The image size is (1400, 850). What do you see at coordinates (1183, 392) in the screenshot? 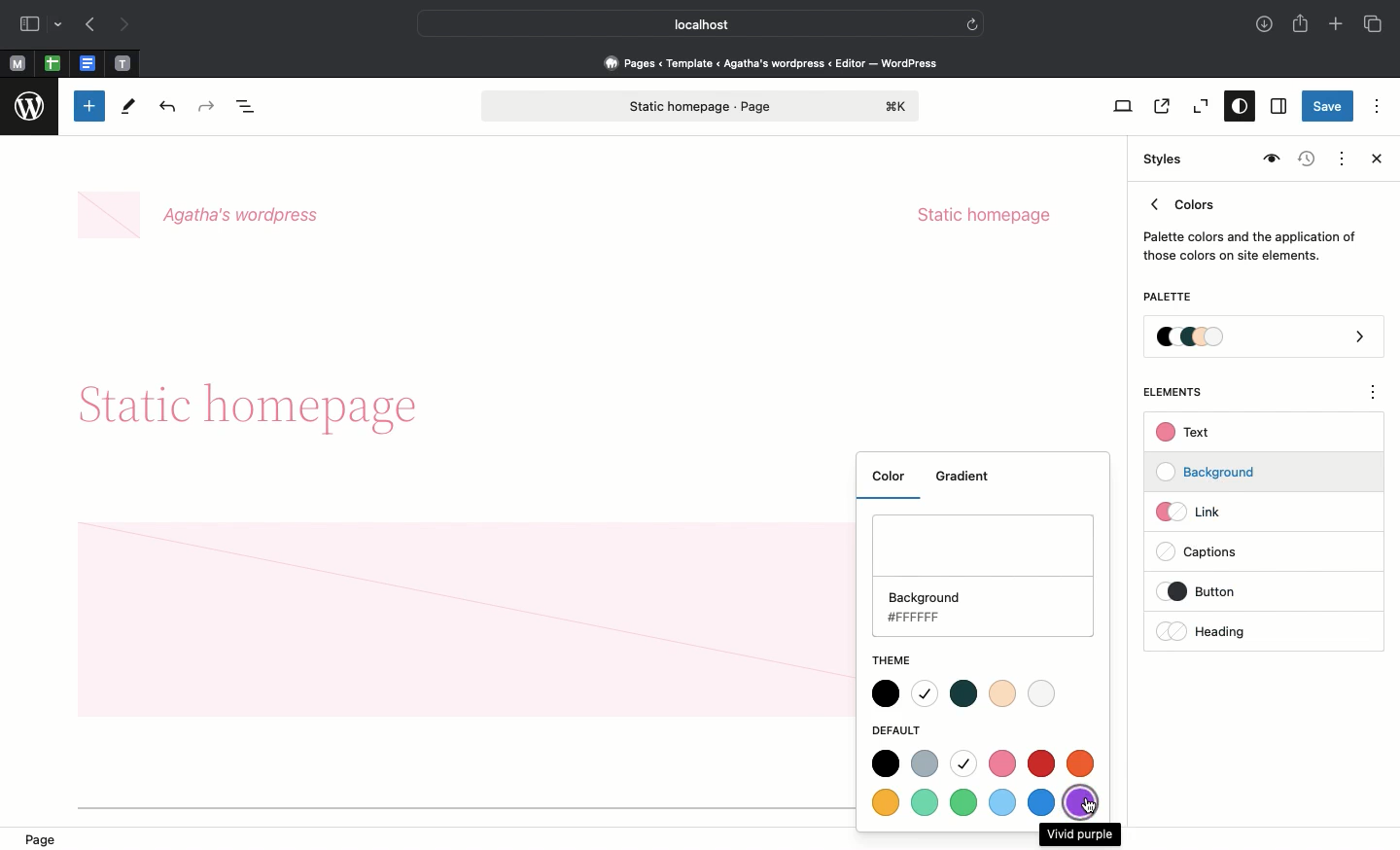
I see `Elements` at bounding box center [1183, 392].